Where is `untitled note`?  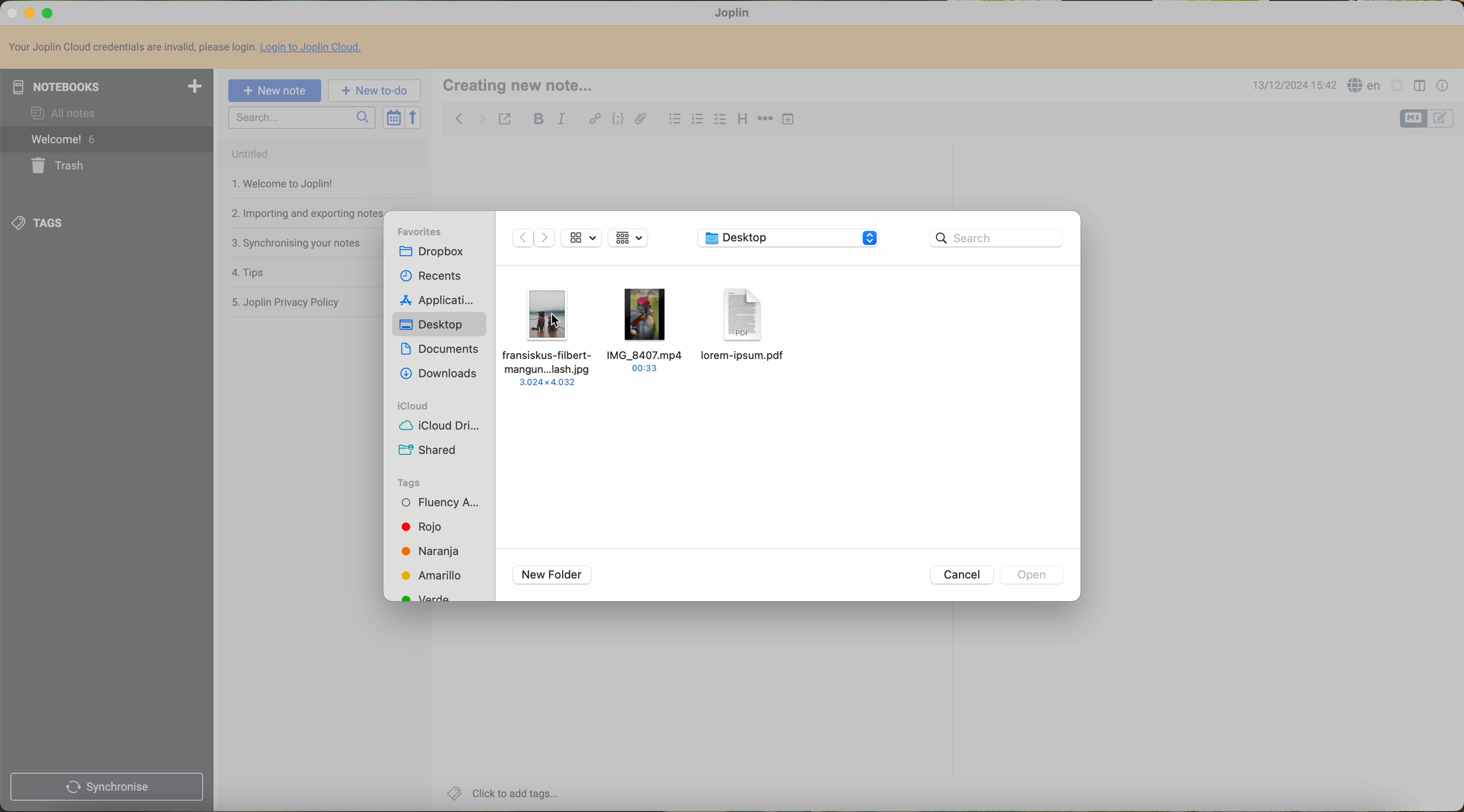
untitled note is located at coordinates (321, 154).